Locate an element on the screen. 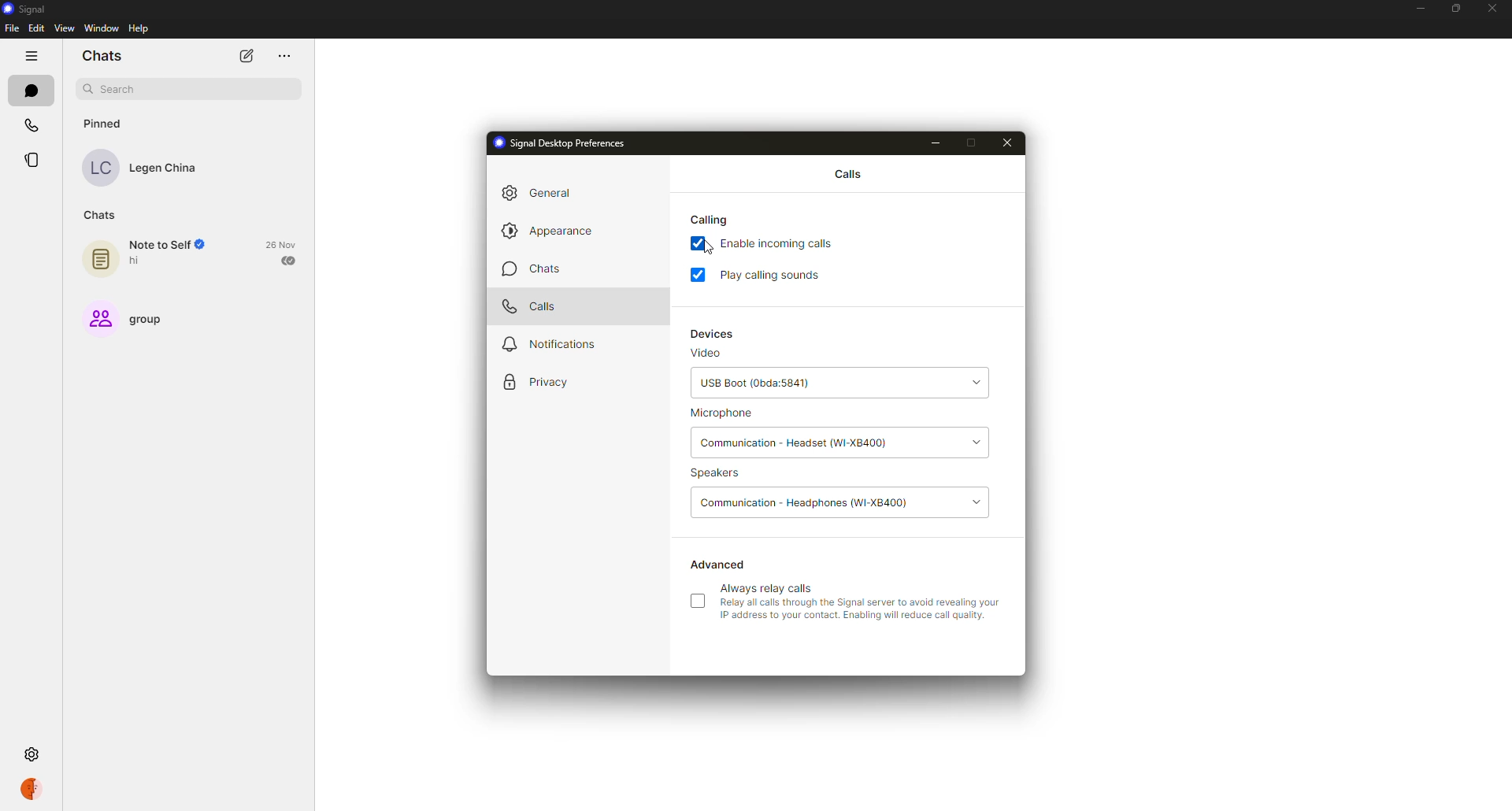 The width and height of the screenshot is (1512, 811). date is located at coordinates (280, 244).